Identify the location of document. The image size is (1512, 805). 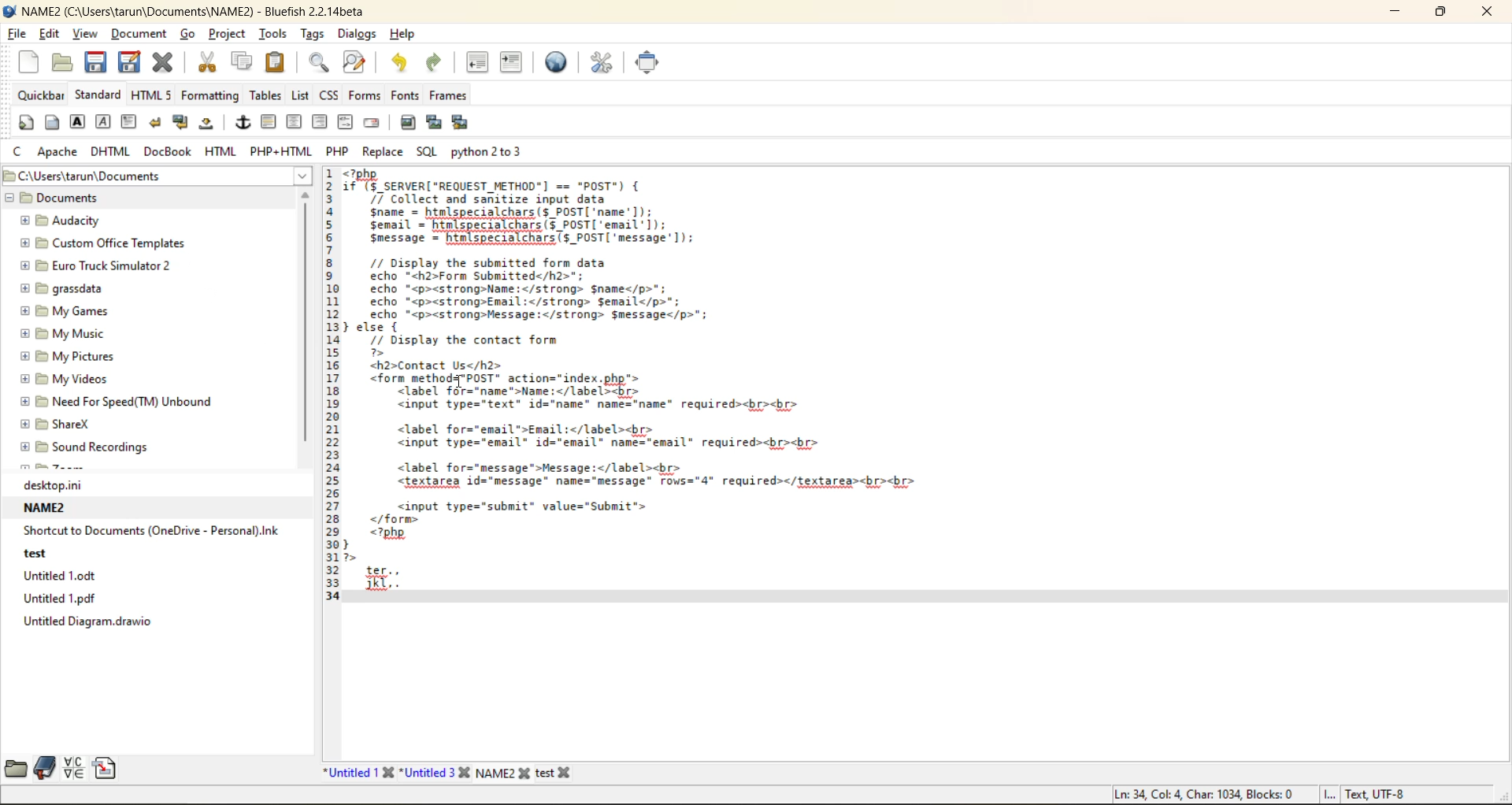
(141, 35).